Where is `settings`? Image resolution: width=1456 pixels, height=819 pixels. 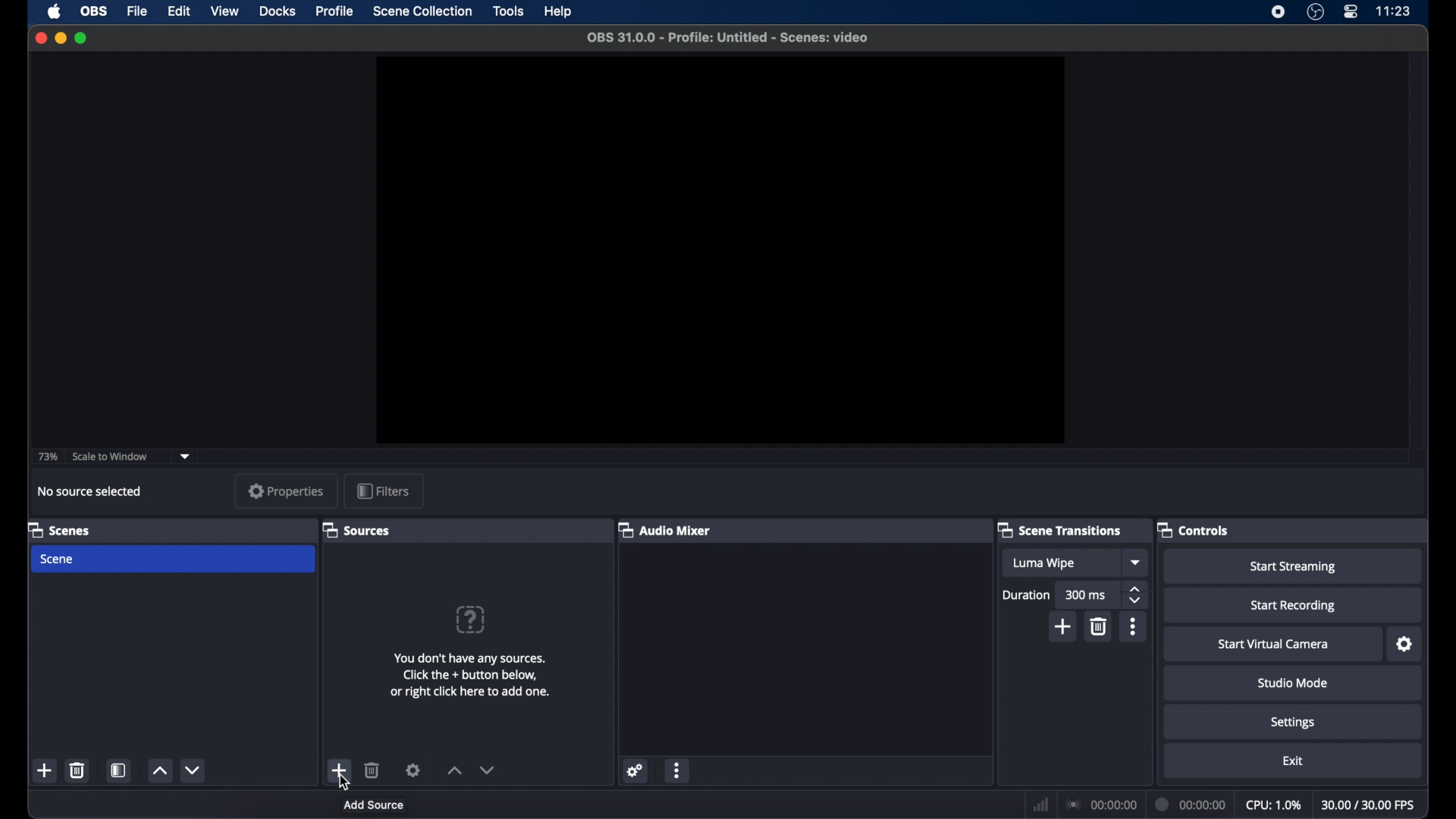 settings is located at coordinates (1406, 645).